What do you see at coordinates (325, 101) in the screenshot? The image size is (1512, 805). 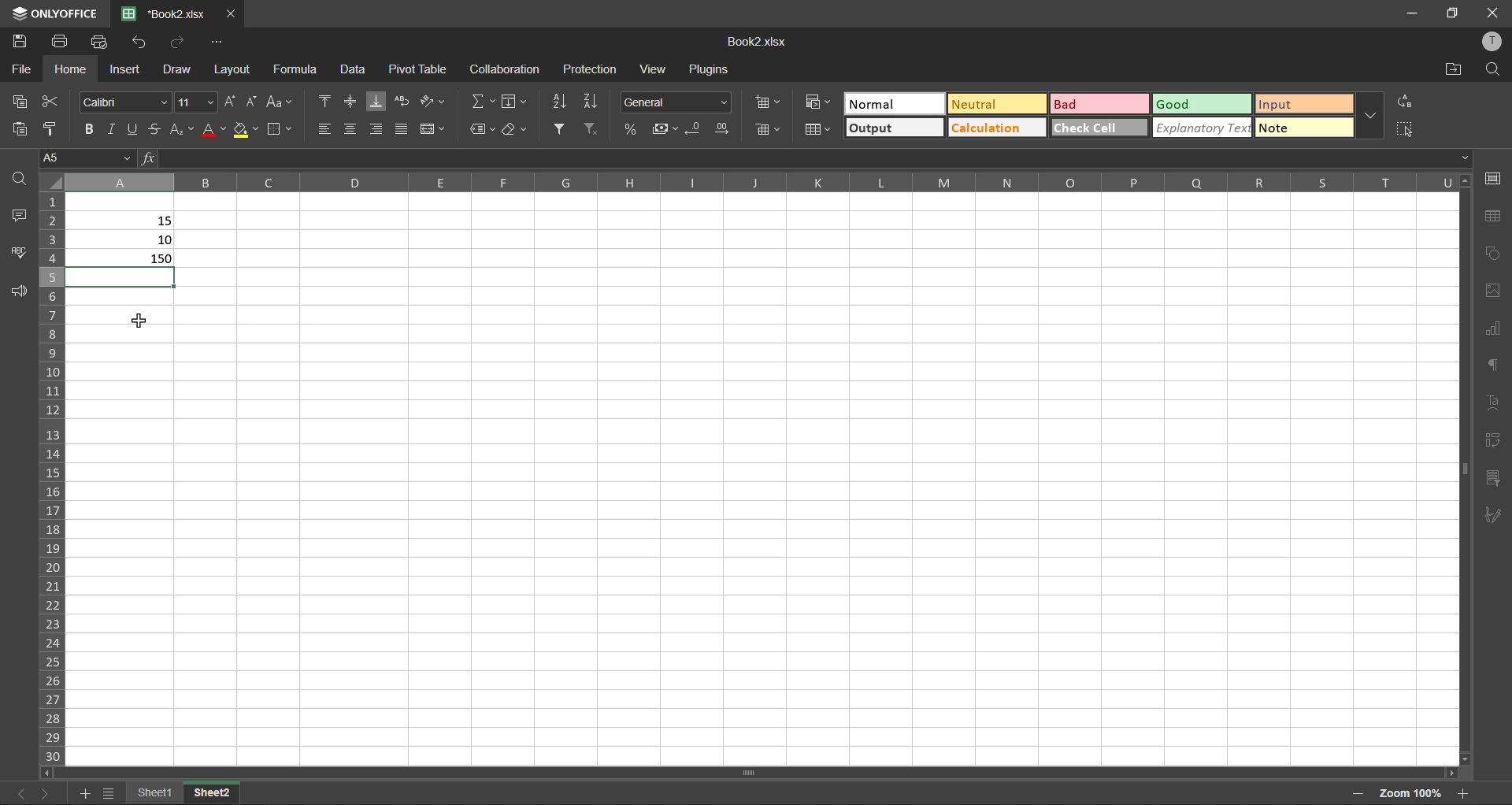 I see `align top` at bounding box center [325, 101].